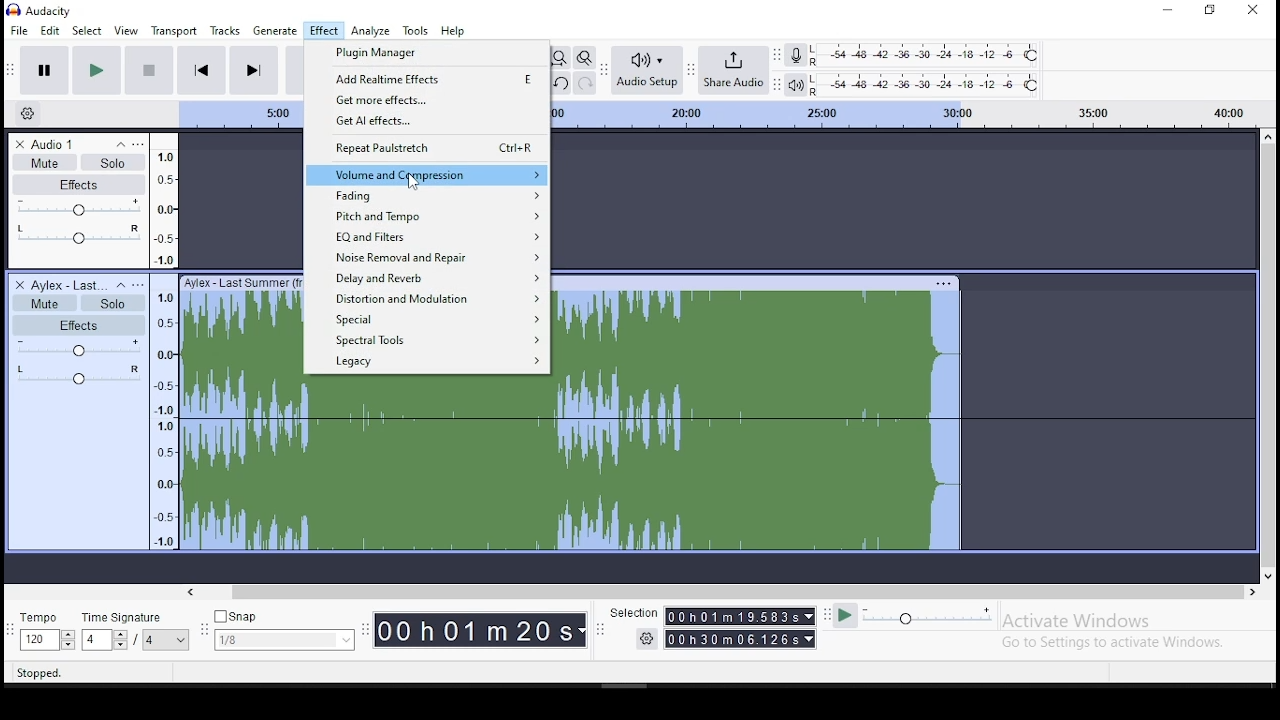 This screenshot has height=720, width=1280. I want to click on EQ and filters, so click(428, 238).